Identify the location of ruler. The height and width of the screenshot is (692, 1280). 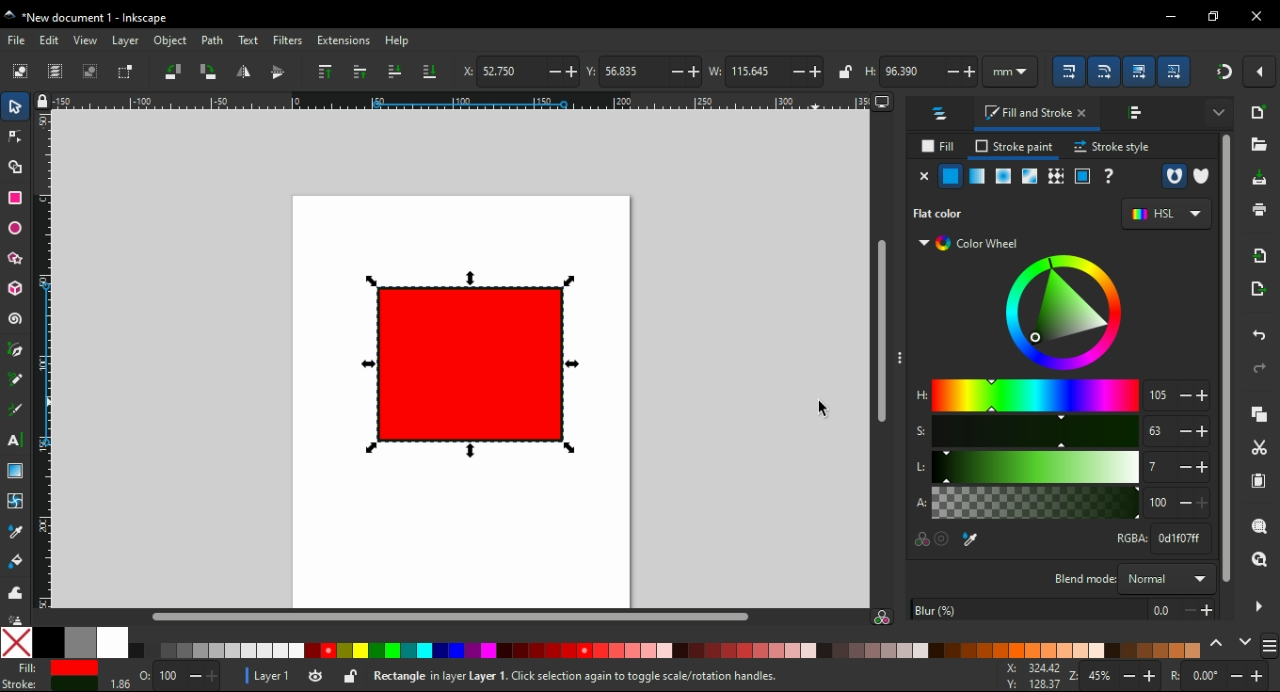
(42, 359).